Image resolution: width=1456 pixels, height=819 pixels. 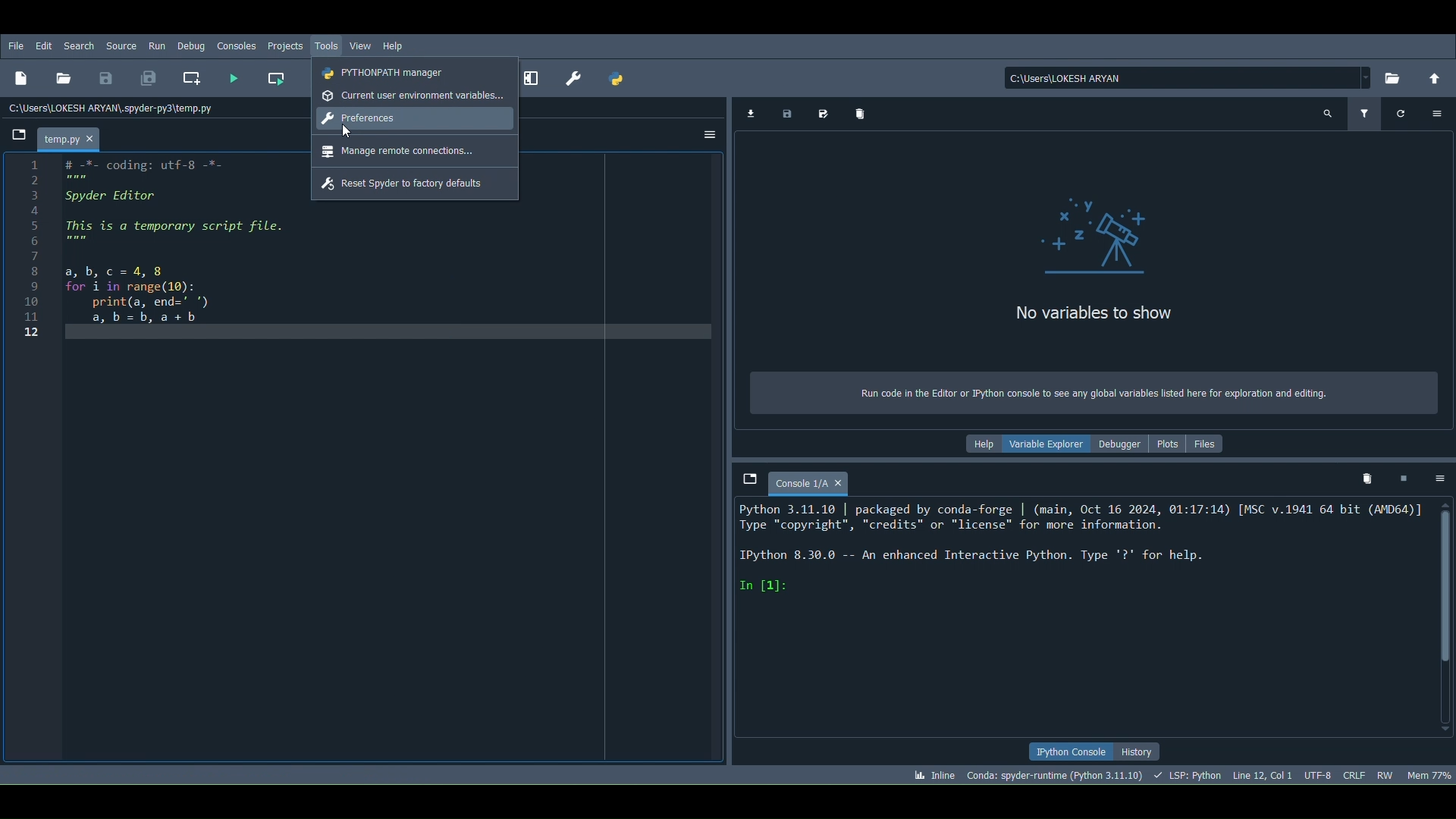 What do you see at coordinates (573, 78) in the screenshot?
I see `Preferences` at bounding box center [573, 78].